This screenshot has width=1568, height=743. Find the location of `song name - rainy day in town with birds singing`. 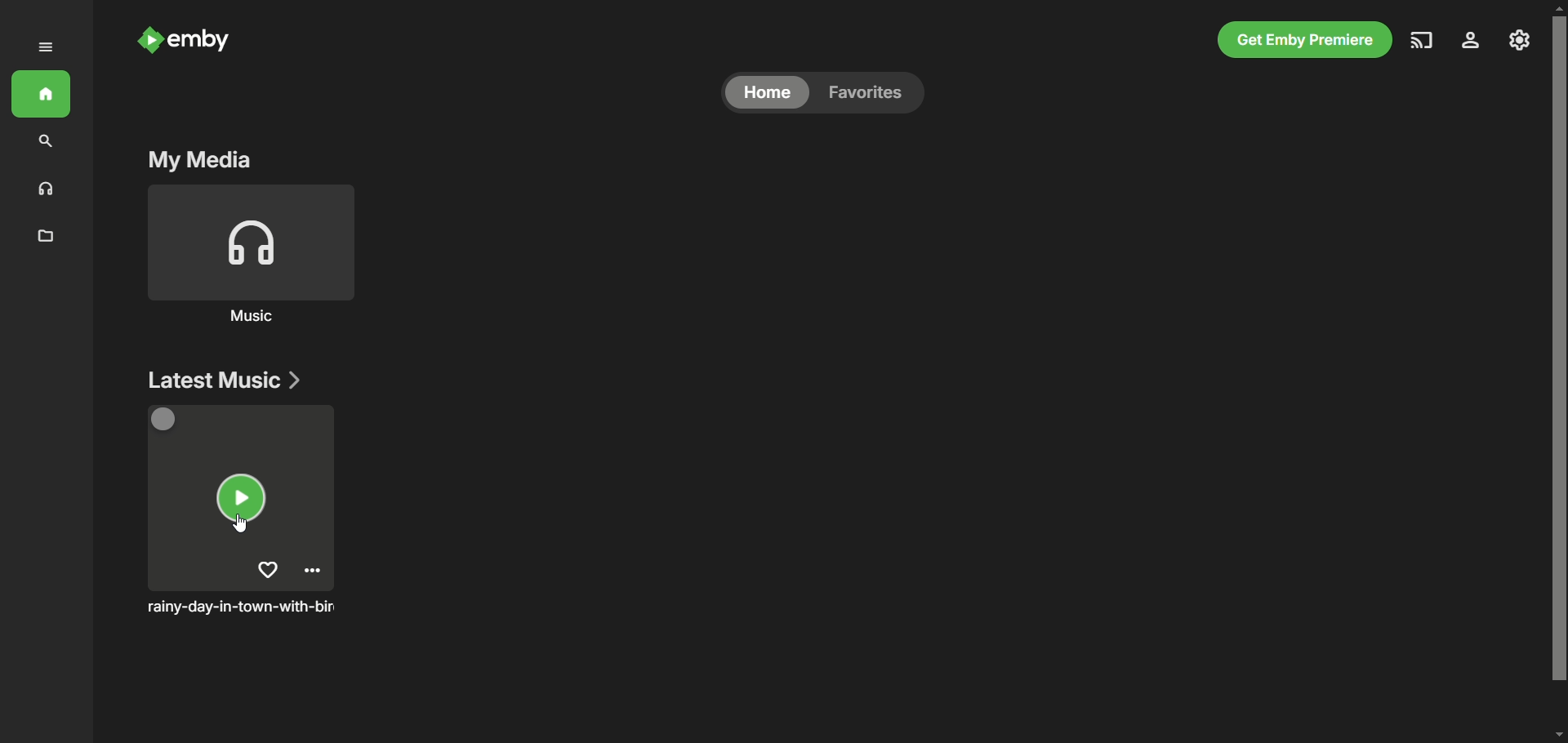

song name - rainy day in town with birds singing is located at coordinates (244, 608).